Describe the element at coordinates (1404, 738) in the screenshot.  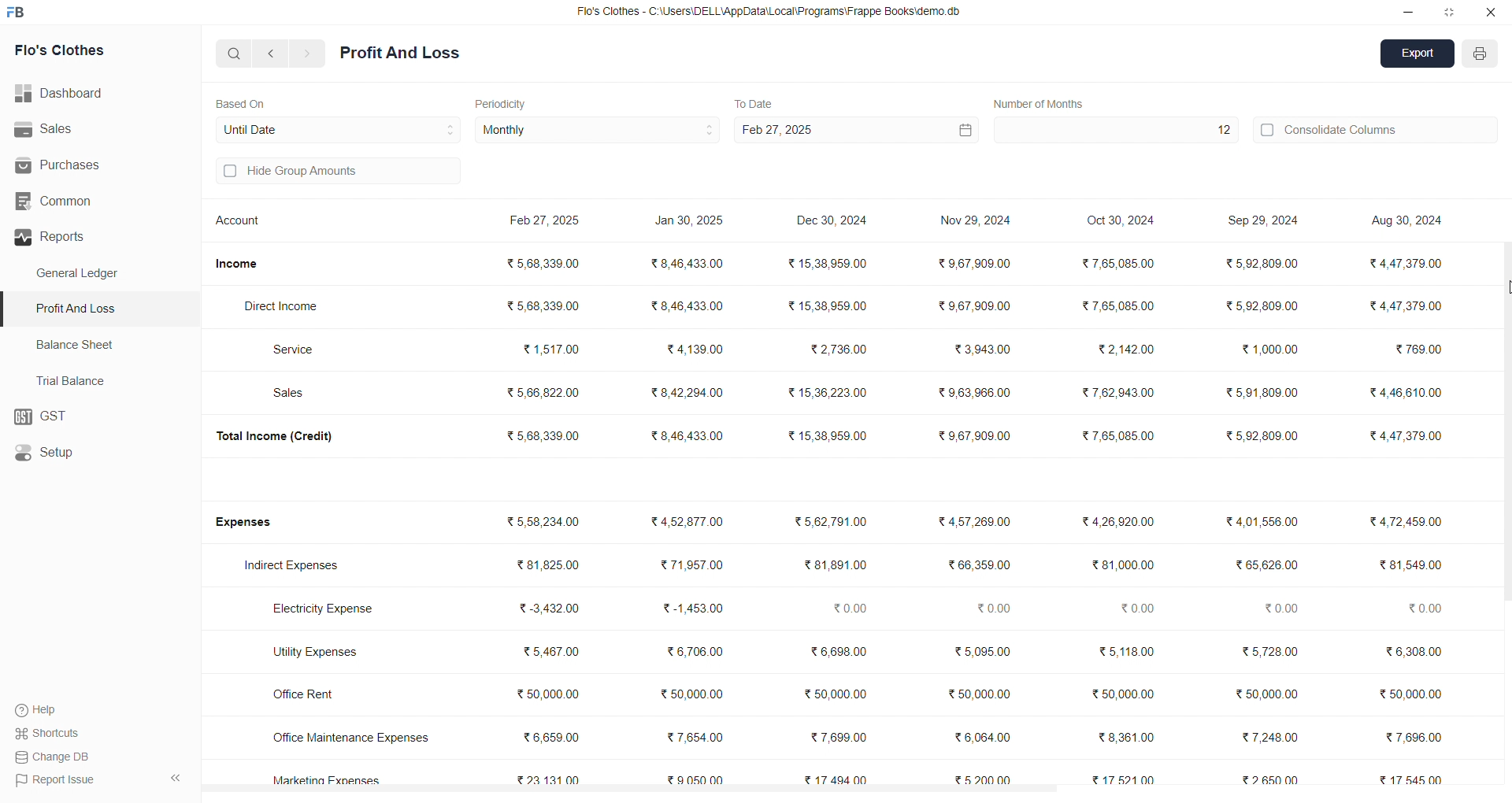
I see `37,696.00` at that location.